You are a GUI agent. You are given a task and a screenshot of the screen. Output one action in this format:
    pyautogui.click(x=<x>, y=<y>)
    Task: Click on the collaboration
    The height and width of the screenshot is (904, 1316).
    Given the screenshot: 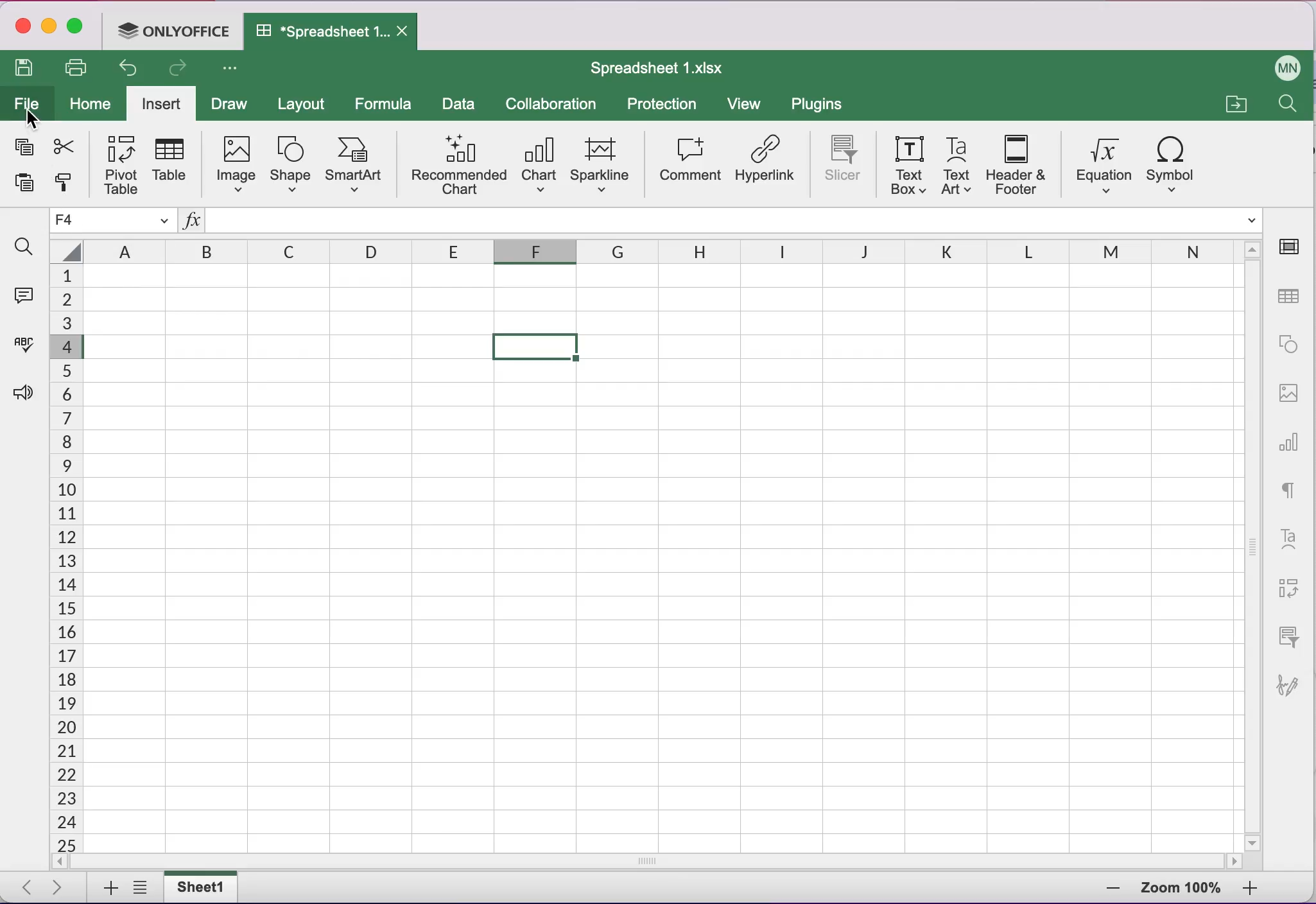 What is the action you would take?
    pyautogui.click(x=558, y=103)
    